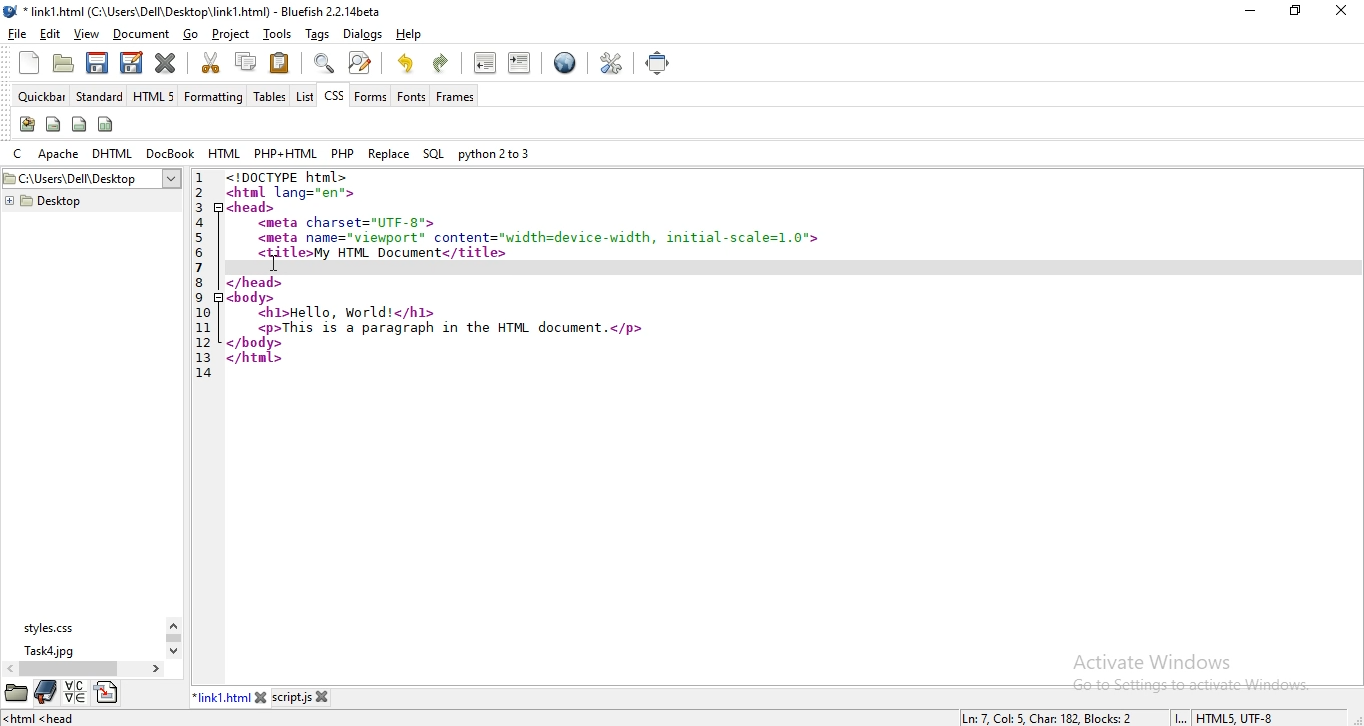  I want to click on help, so click(414, 37).